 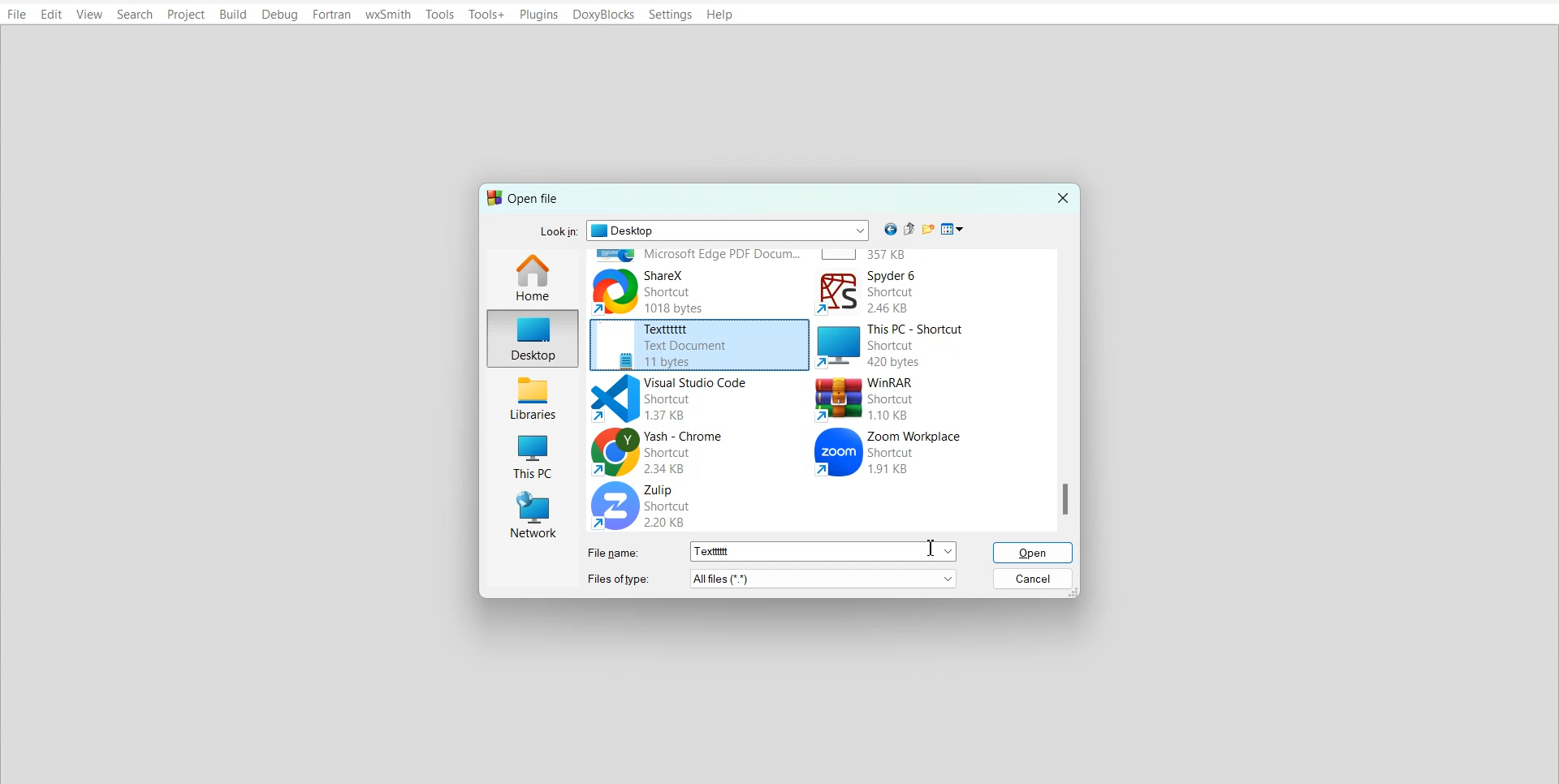 I want to click on DoxyBlocks, so click(x=603, y=15).